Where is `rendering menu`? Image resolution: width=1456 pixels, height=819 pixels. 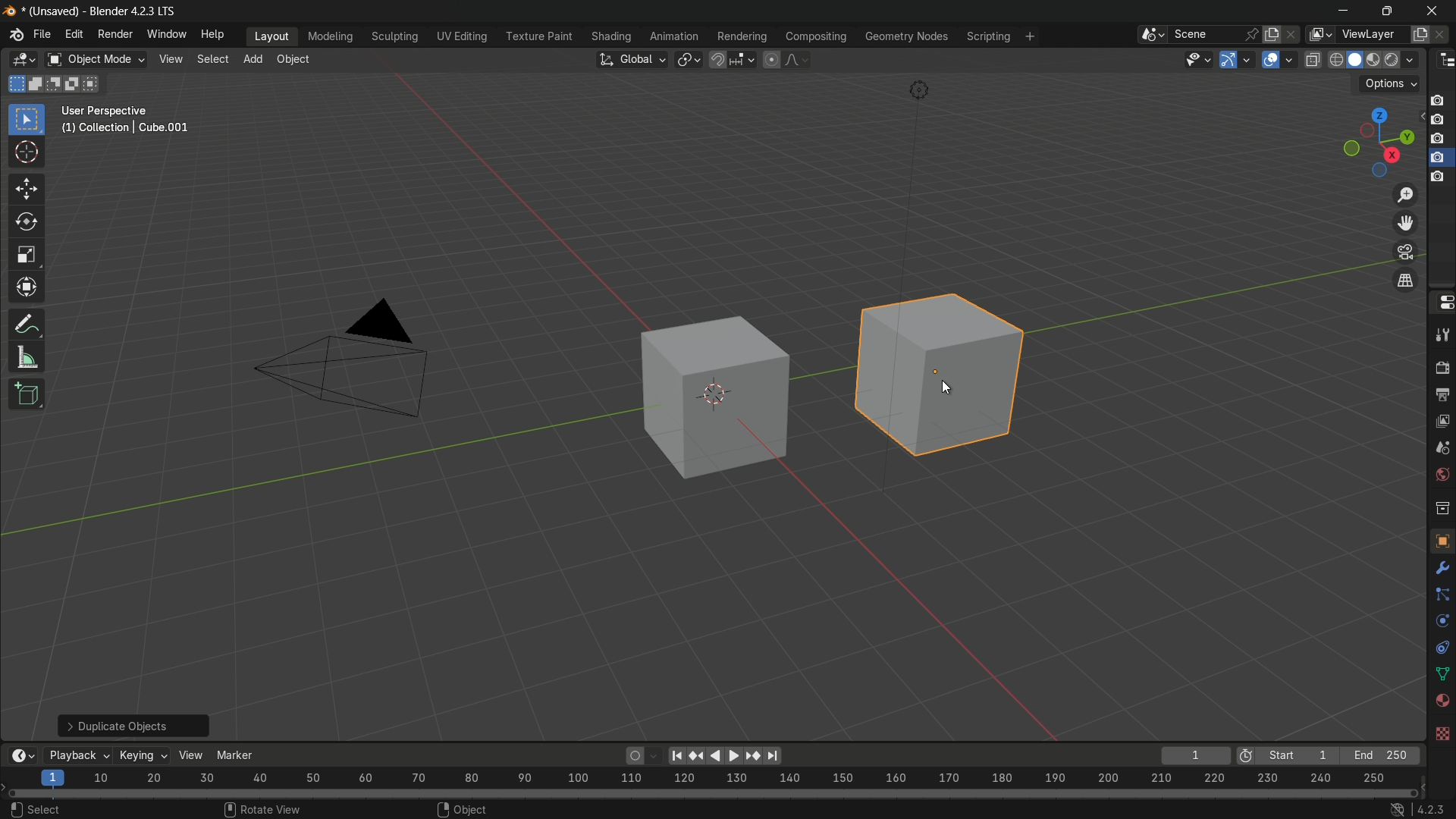
rendering menu is located at coordinates (740, 36).